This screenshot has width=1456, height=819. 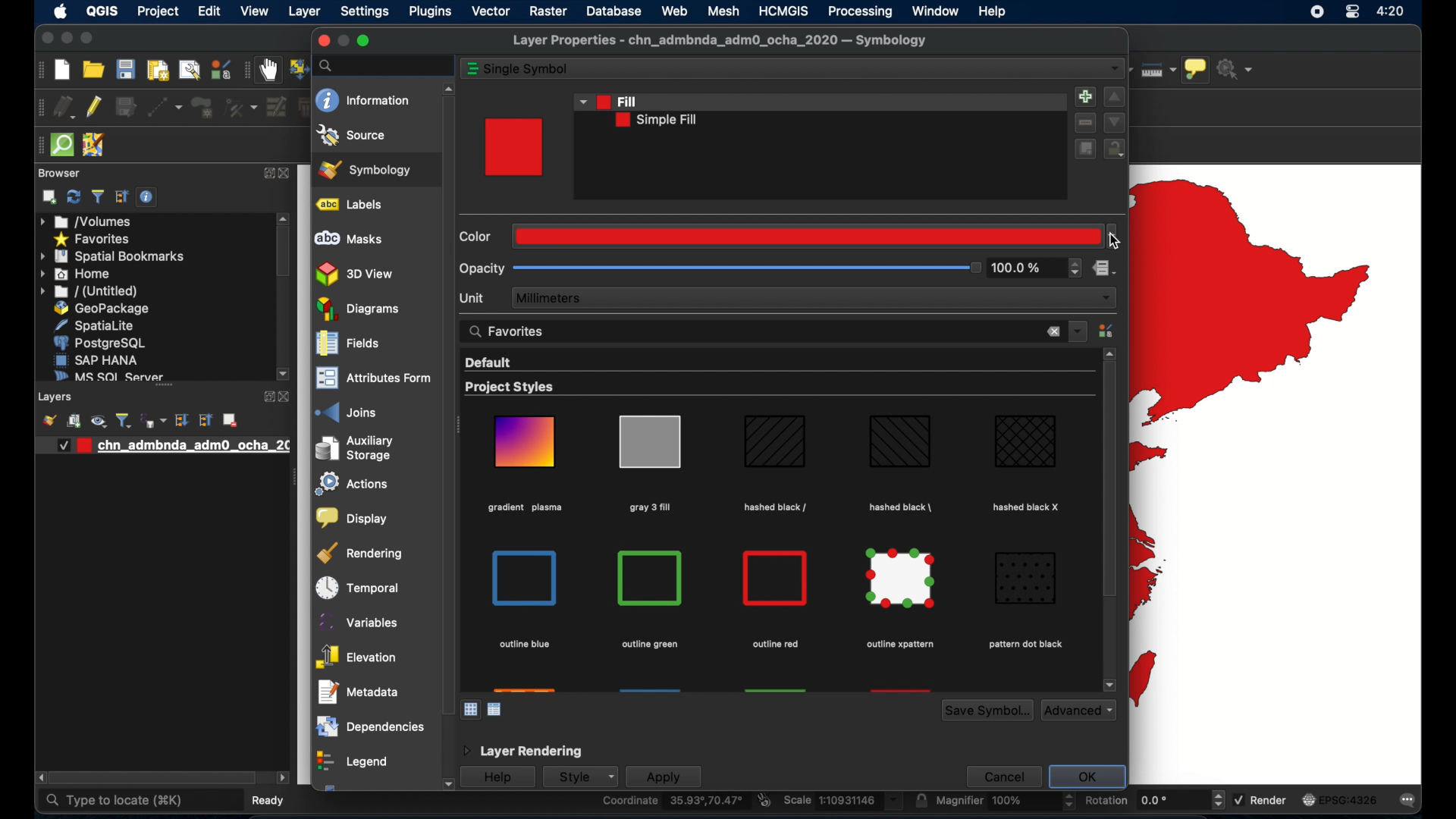 What do you see at coordinates (460, 427) in the screenshot?
I see `drag handle` at bounding box center [460, 427].